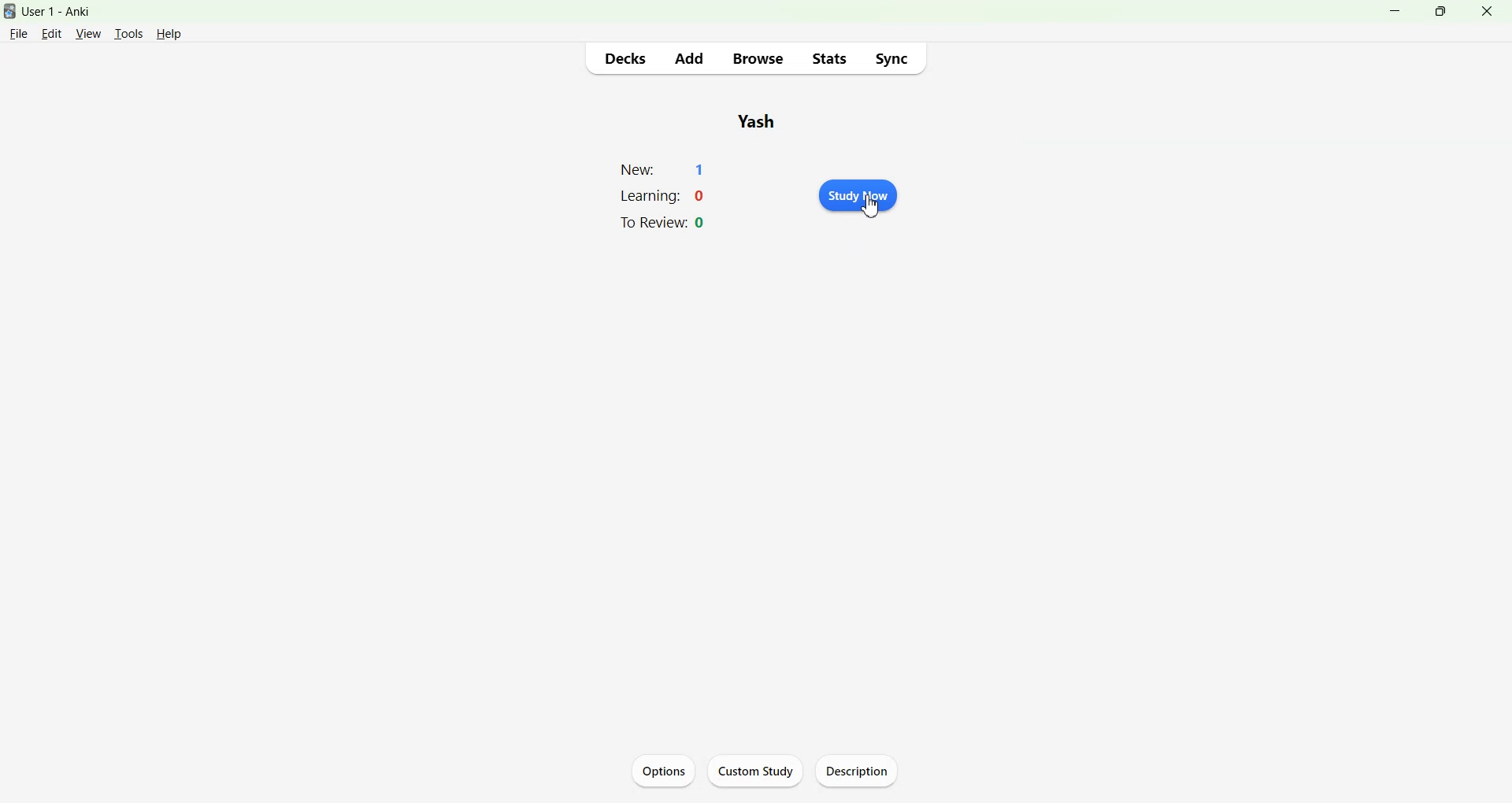 The height and width of the screenshot is (803, 1512). I want to click on User 1 - Anki, so click(66, 12).